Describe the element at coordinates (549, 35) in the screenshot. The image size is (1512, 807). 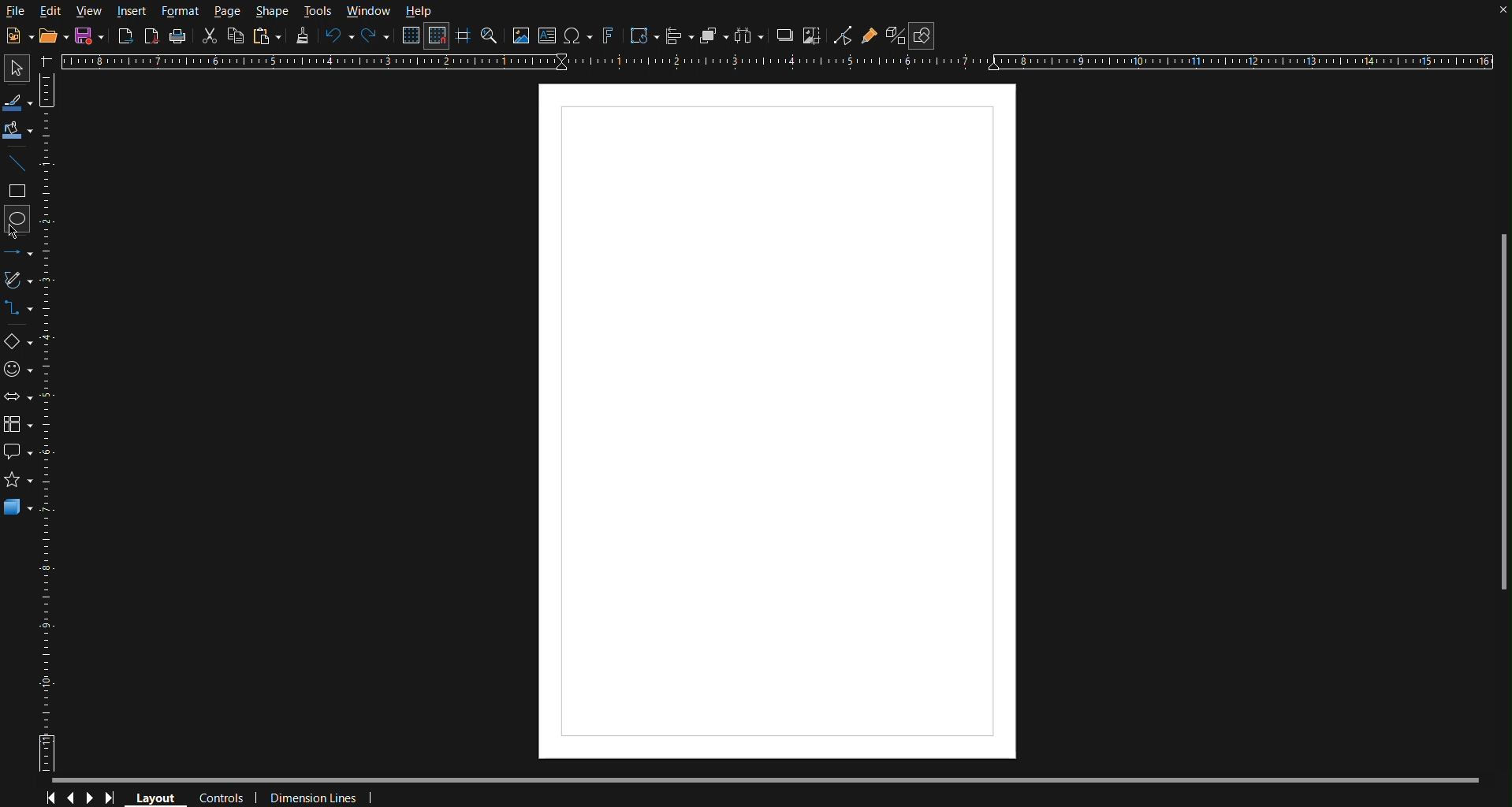
I see `Textbox` at that location.